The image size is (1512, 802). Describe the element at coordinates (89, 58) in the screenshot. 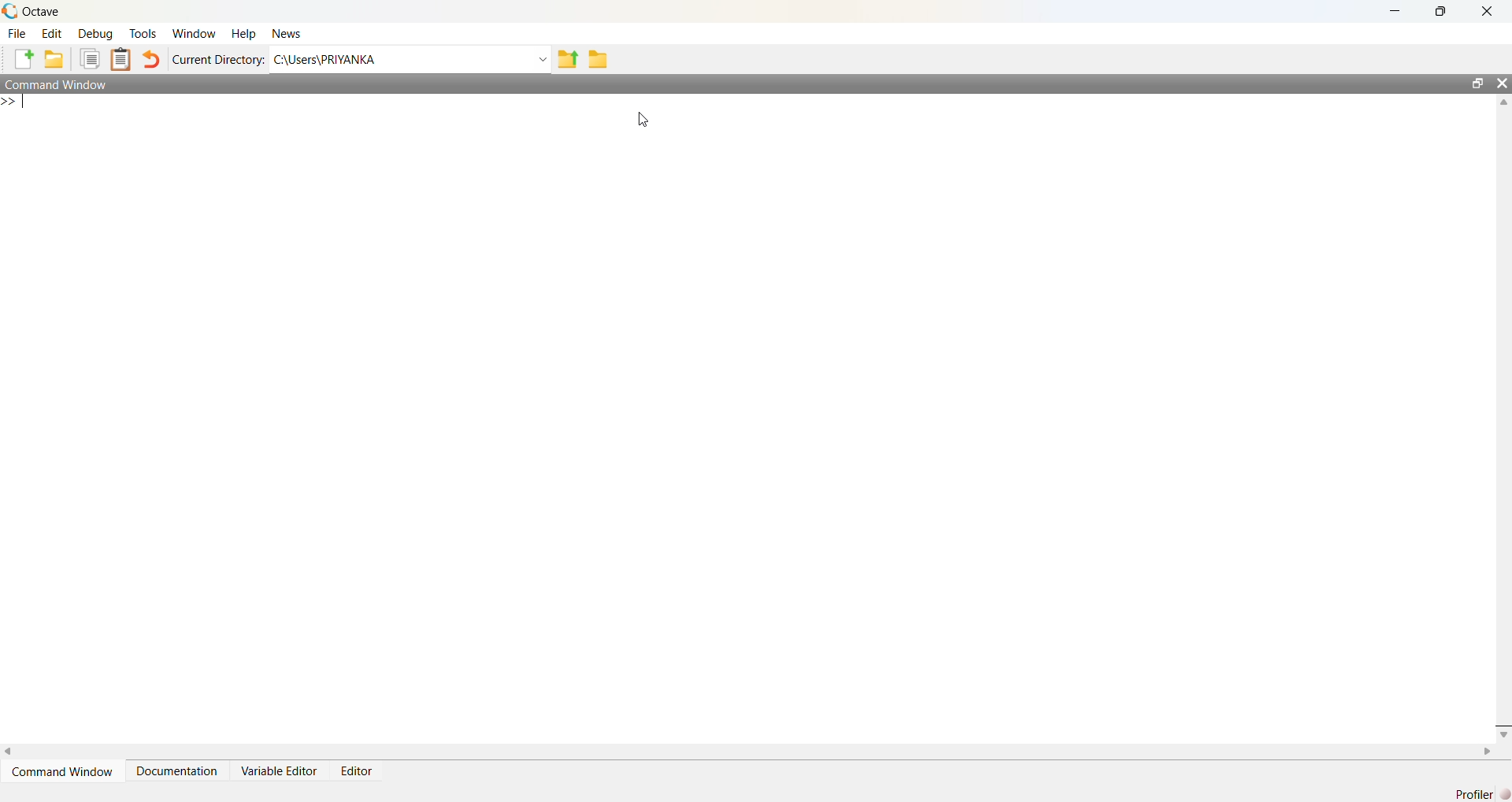

I see `Copy` at that location.